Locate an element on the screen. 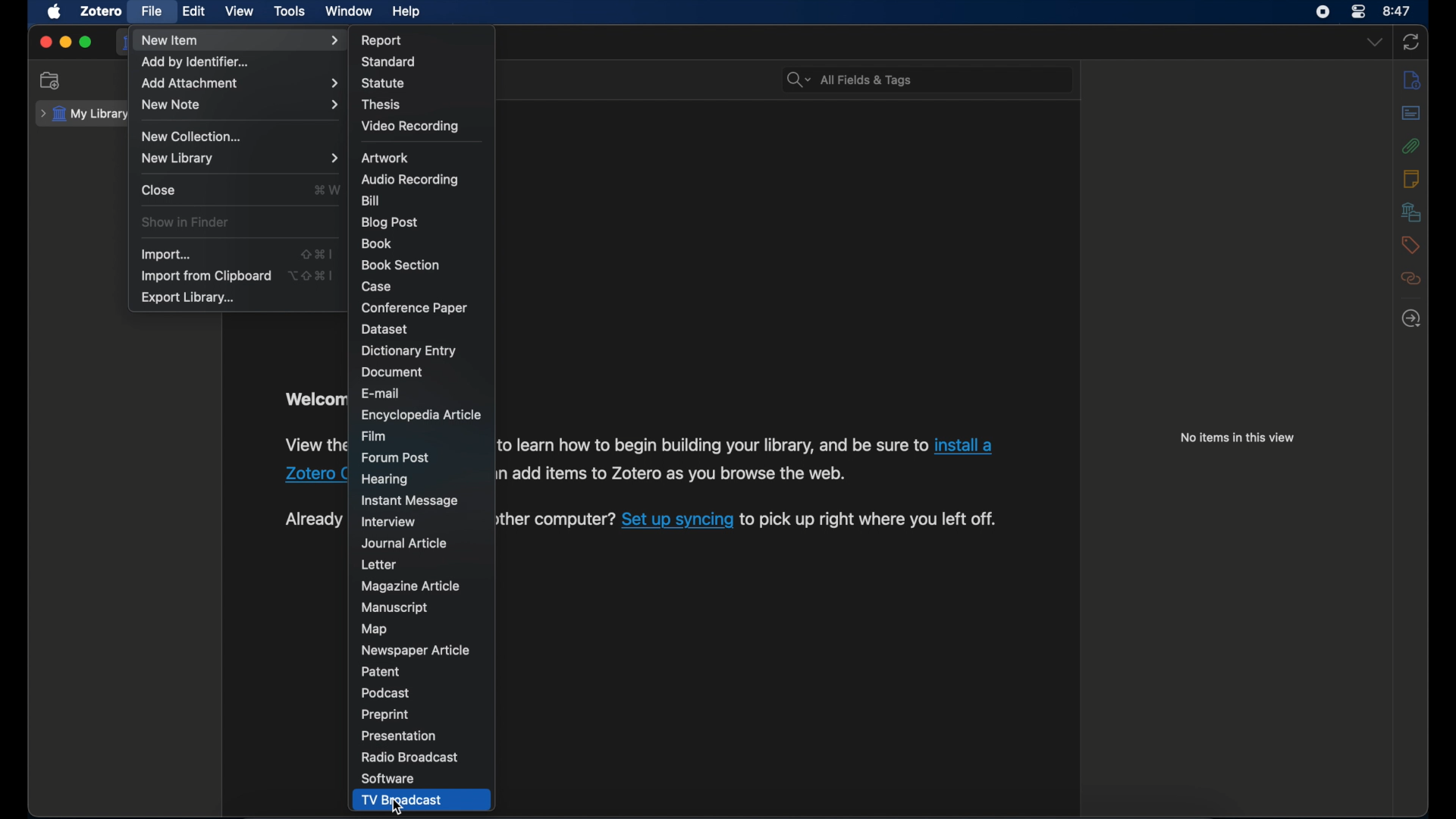 Image resolution: width=1456 pixels, height=819 pixels. software information is located at coordinates (711, 445).